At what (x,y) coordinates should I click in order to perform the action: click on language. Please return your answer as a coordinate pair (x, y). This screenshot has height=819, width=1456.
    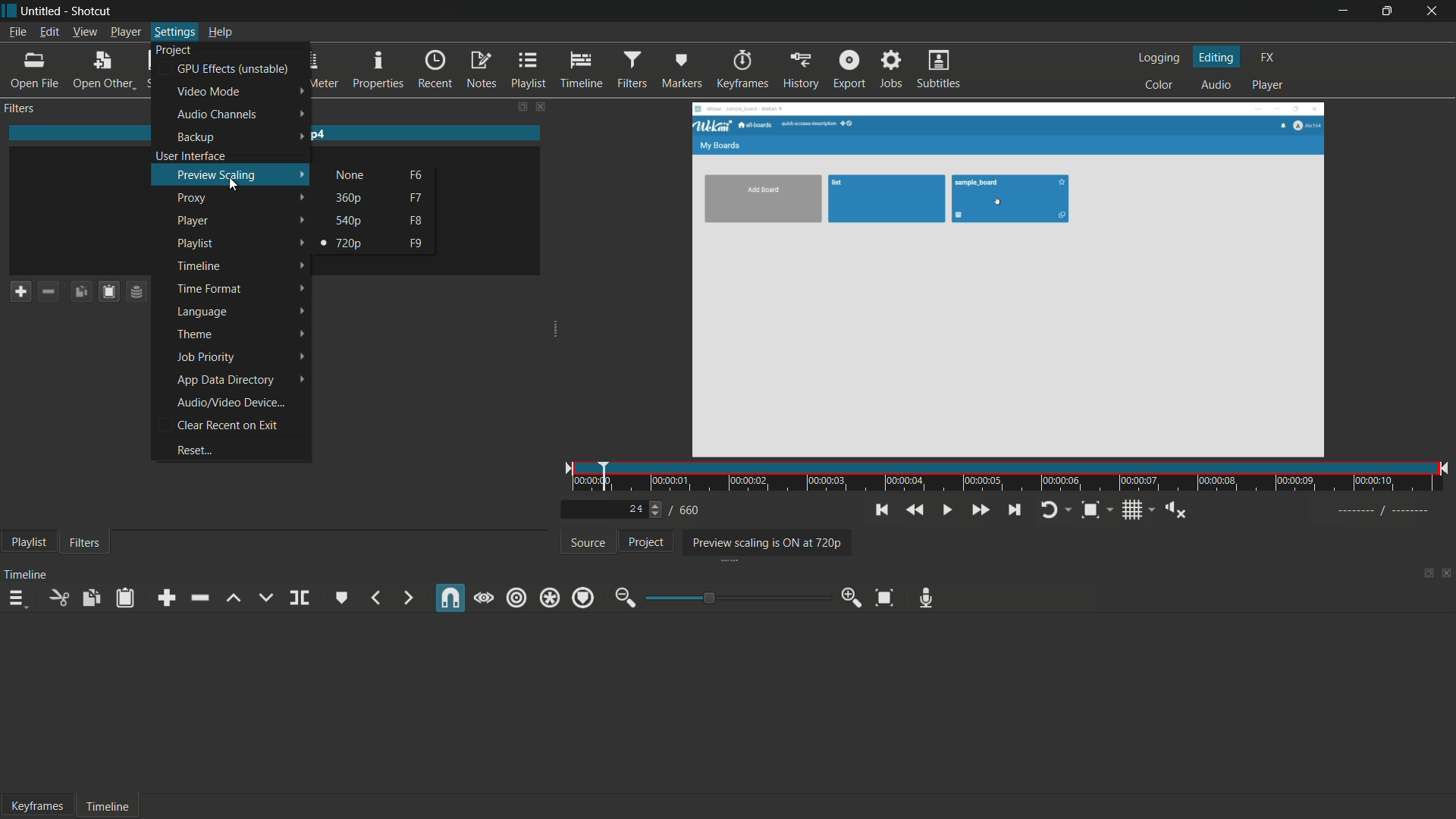
    Looking at the image, I should click on (201, 312).